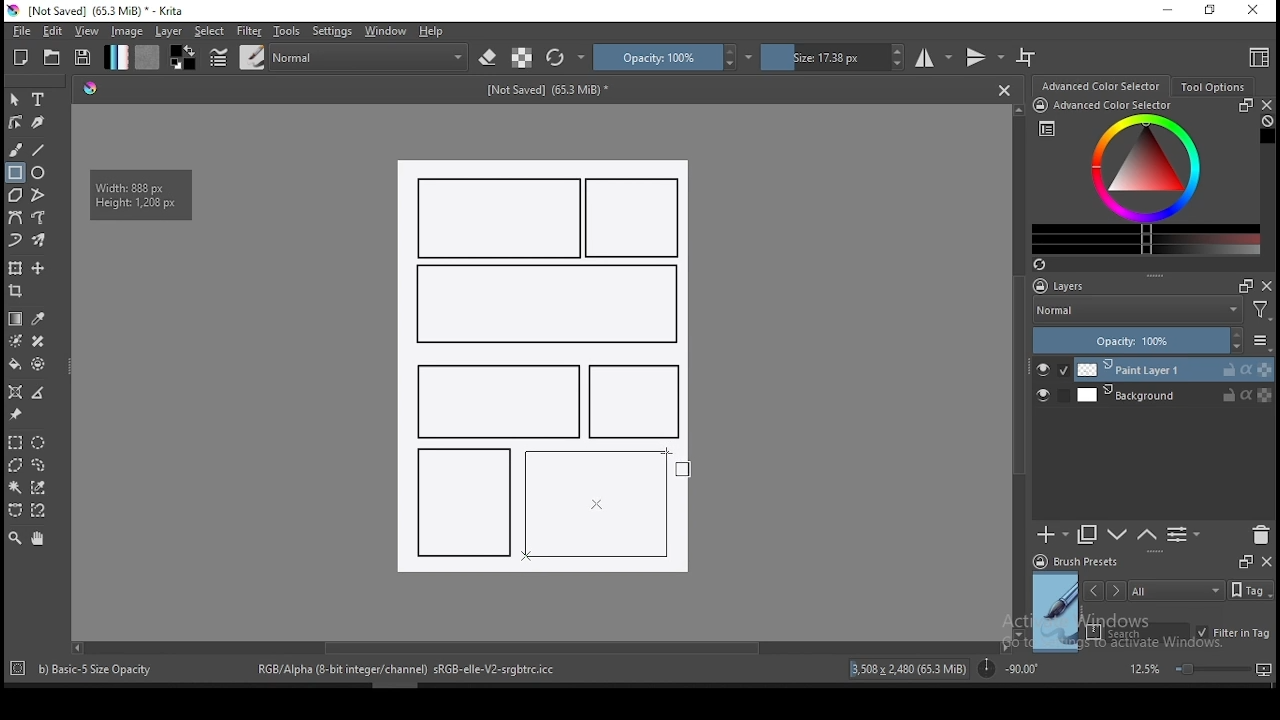 The image size is (1280, 720). What do you see at coordinates (1053, 370) in the screenshot?
I see `layer visibility on/off` at bounding box center [1053, 370].